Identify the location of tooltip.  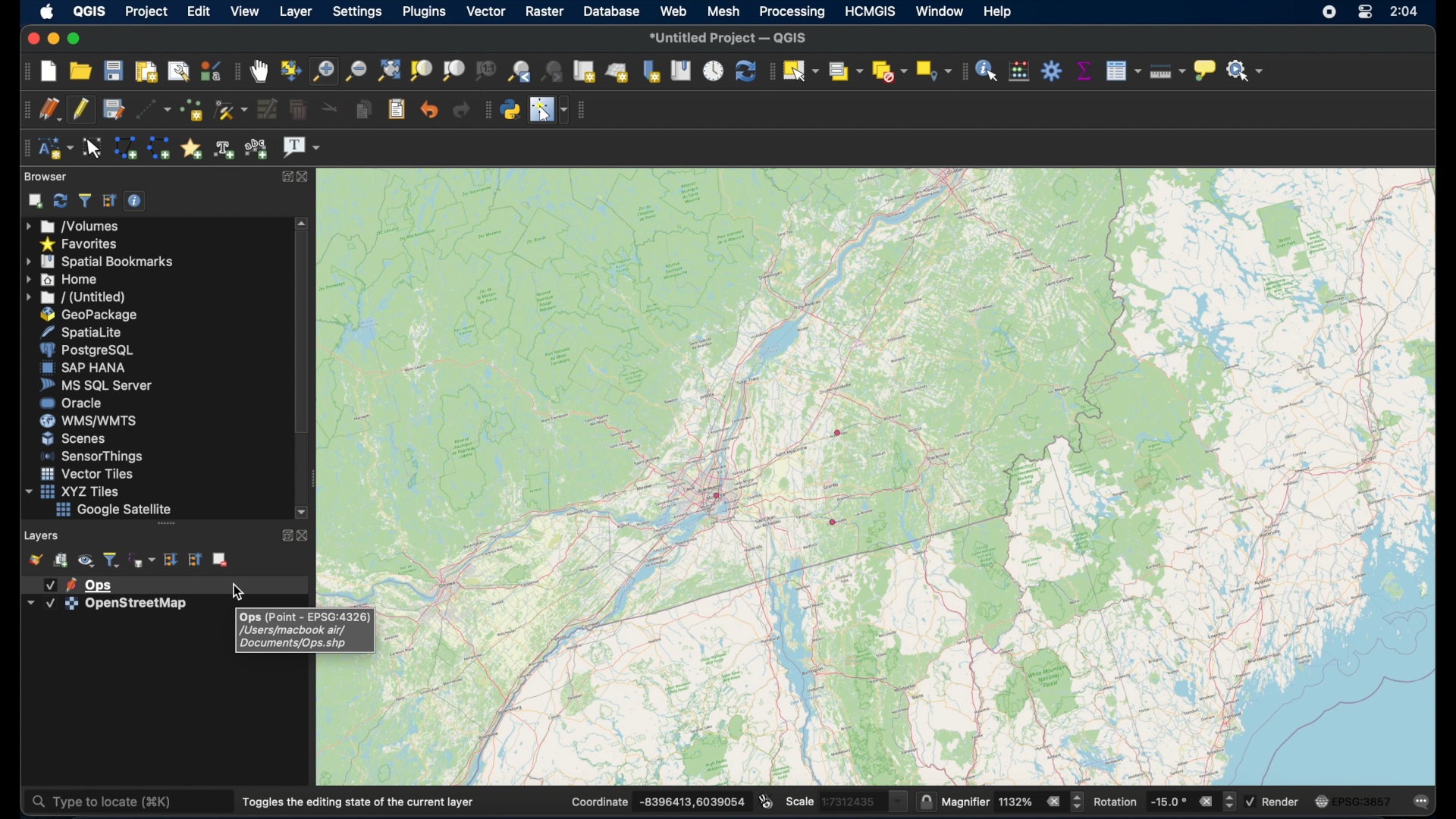
(307, 629).